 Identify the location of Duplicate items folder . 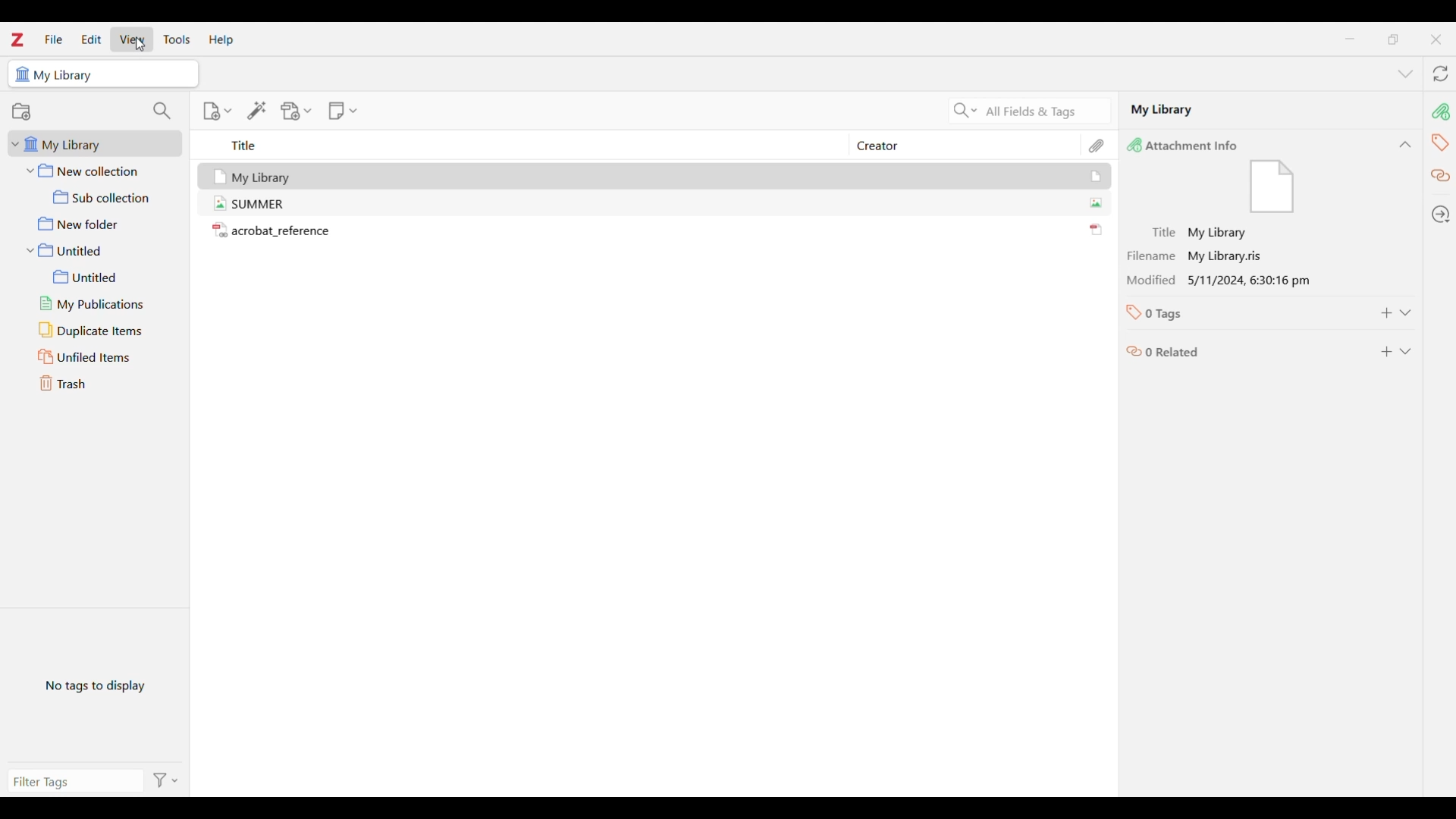
(100, 330).